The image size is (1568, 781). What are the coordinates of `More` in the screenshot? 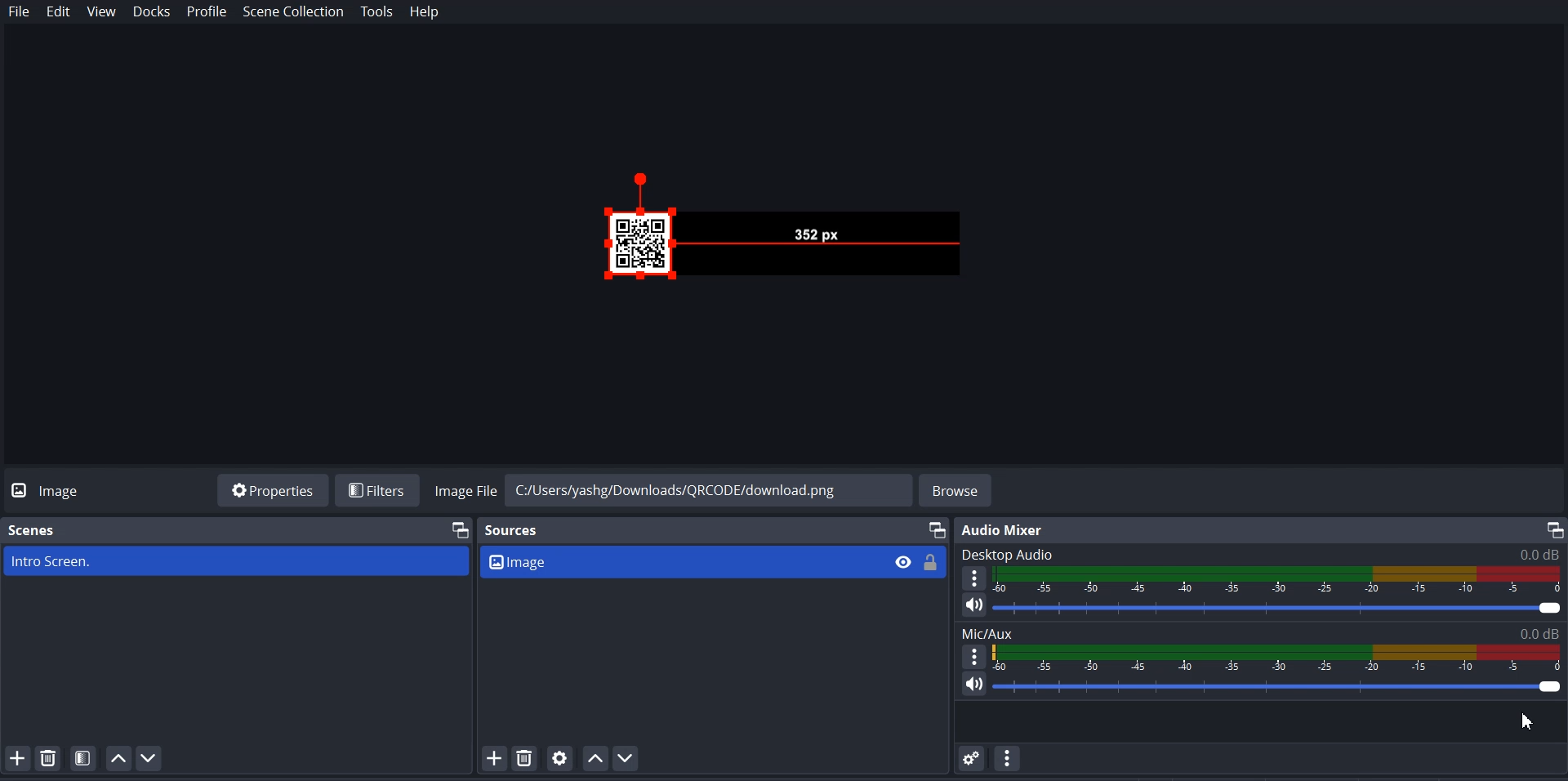 It's located at (974, 656).